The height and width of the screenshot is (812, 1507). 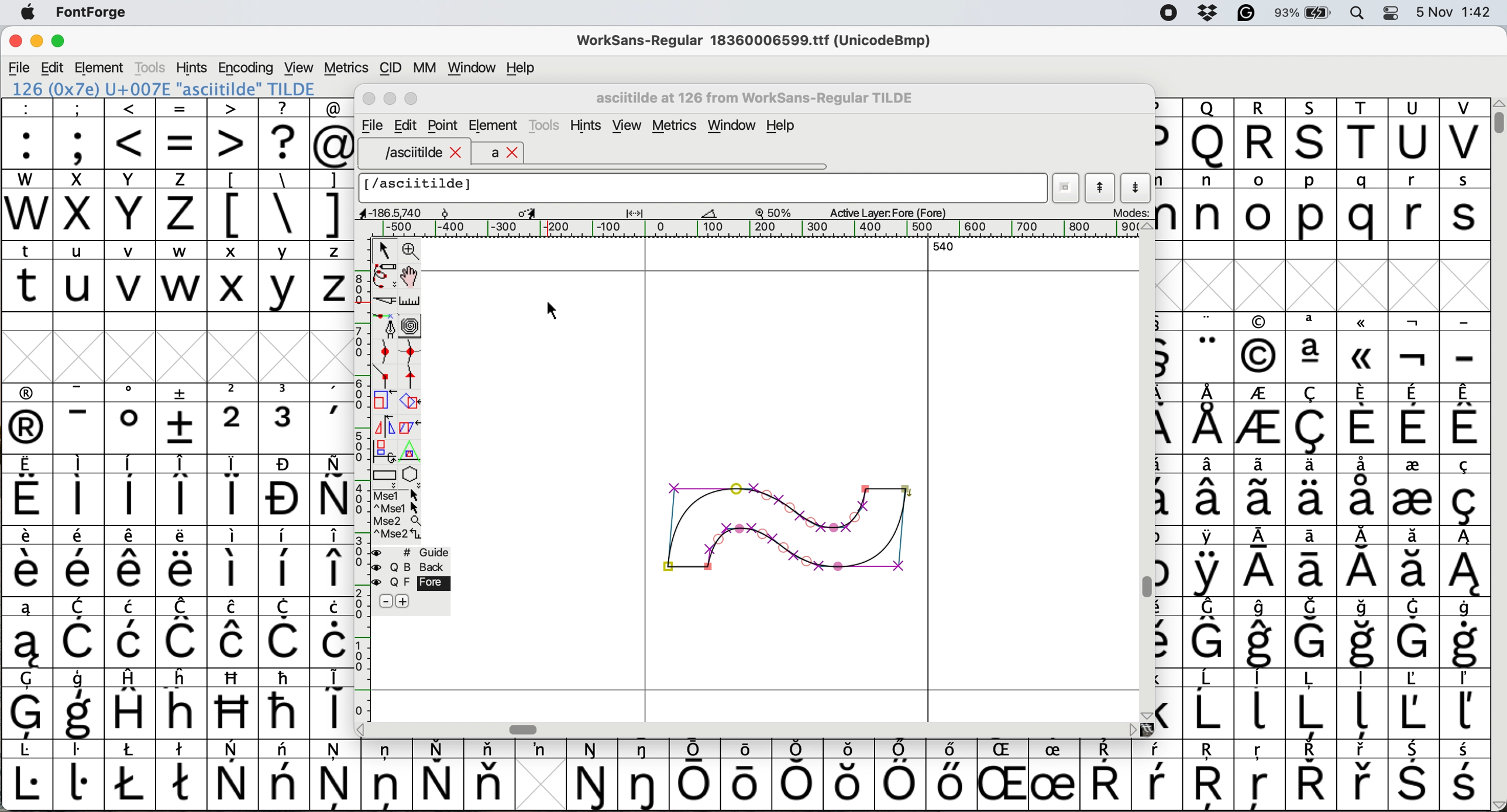 What do you see at coordinates (522, 67) in the screenshot?
I see `help` at bounding box center [522, 67].